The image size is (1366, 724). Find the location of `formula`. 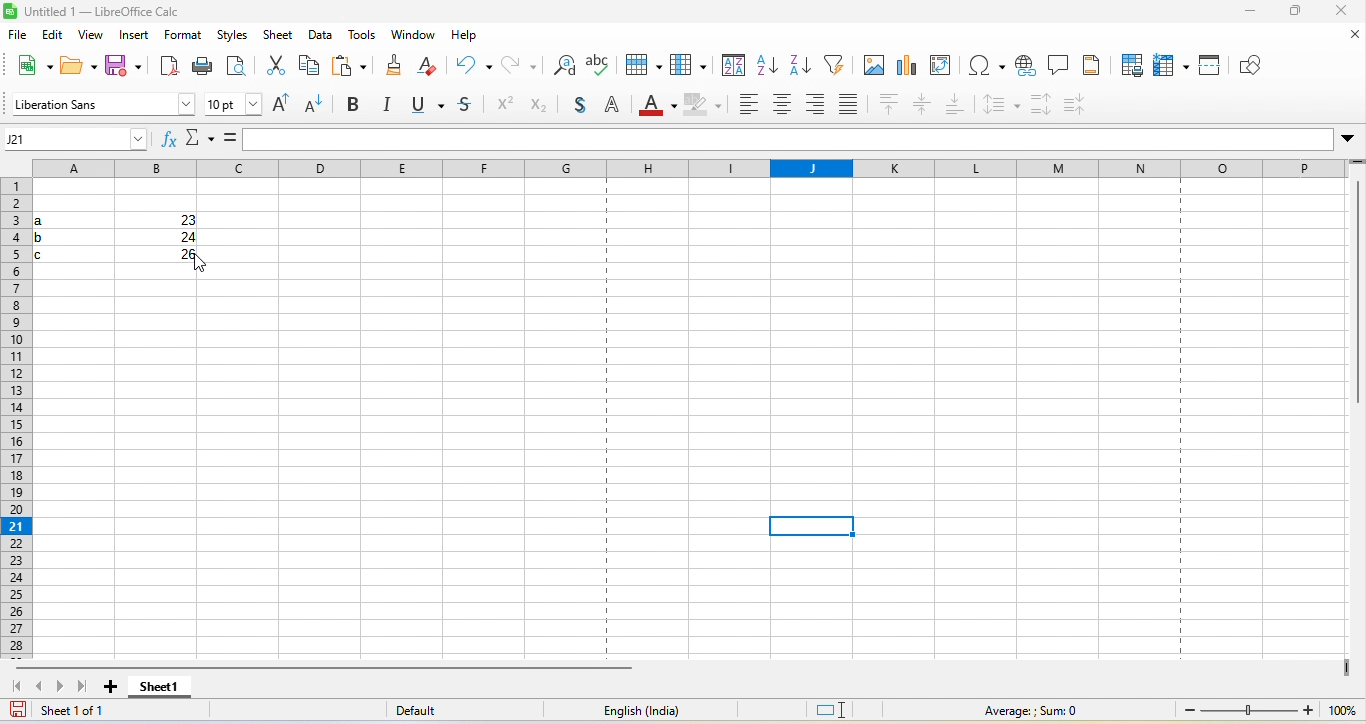

formula is located at coordinates (229, 138).